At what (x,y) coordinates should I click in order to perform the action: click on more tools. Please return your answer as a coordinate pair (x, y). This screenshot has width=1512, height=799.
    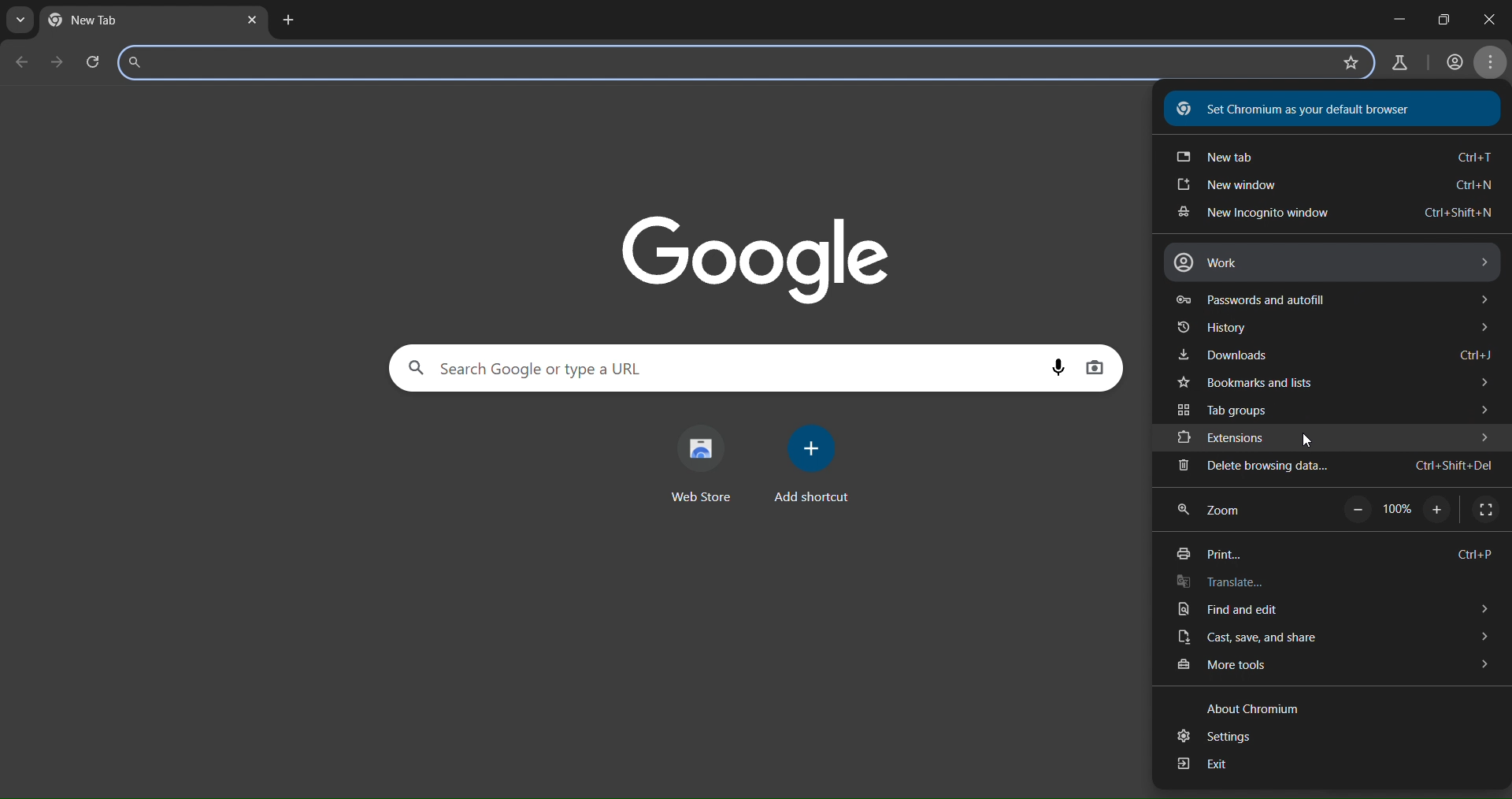
    Looking at the image, I should click on (1336, 667).